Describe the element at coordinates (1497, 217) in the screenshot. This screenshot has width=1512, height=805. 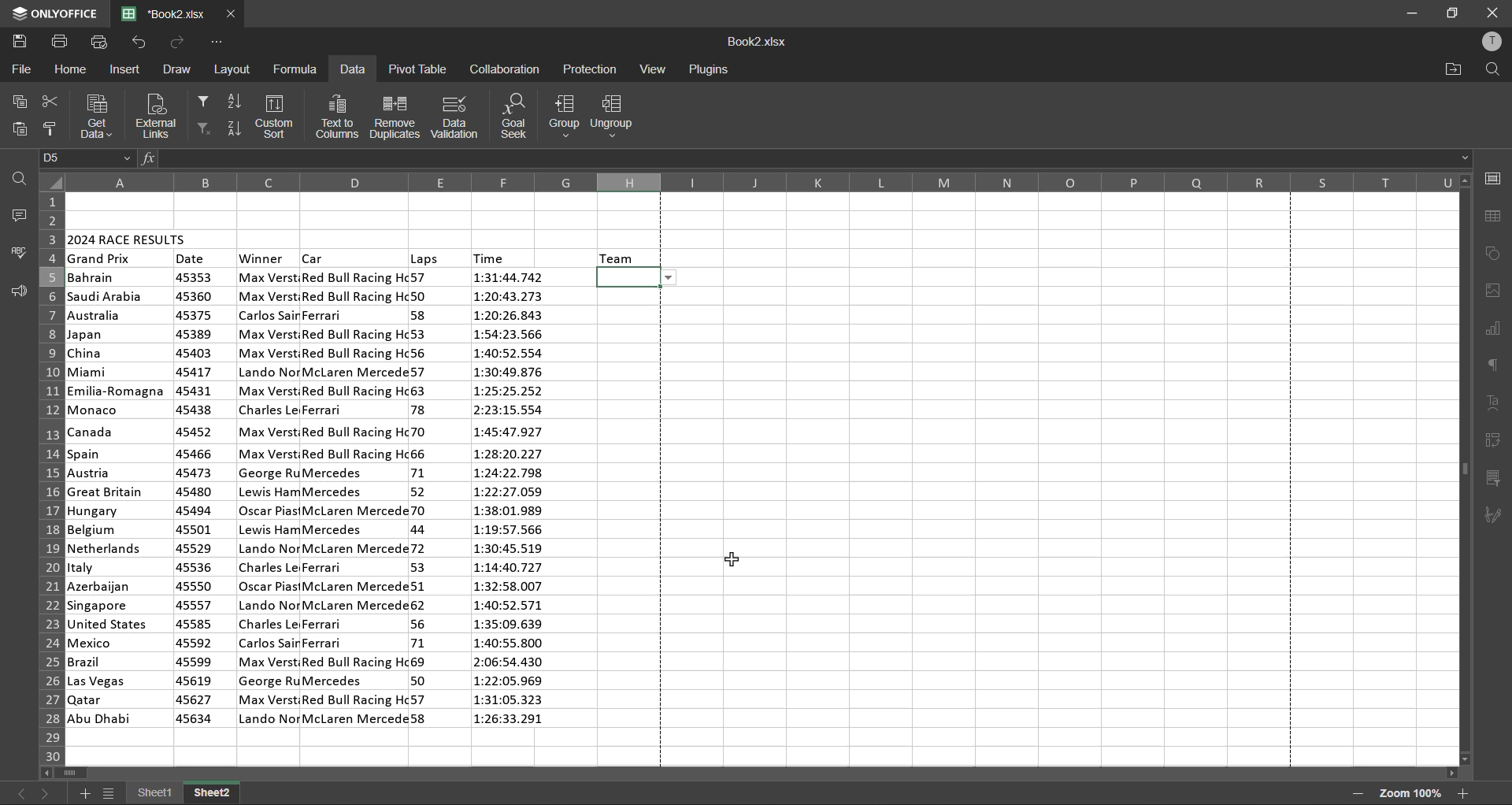
I see `table` at that location.